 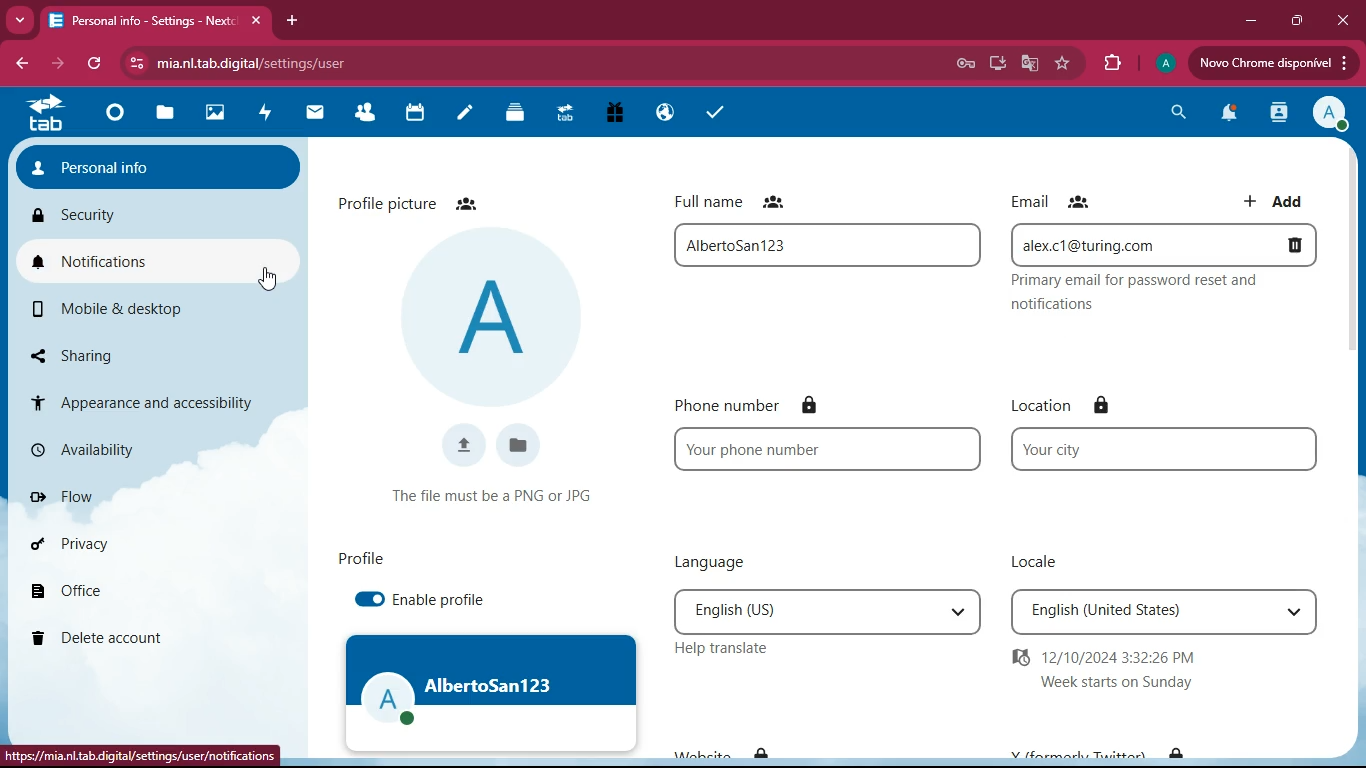 What do you see at coordinates (165, 114) in the screenshot?
I see `files` at bounding box center [165, 114].